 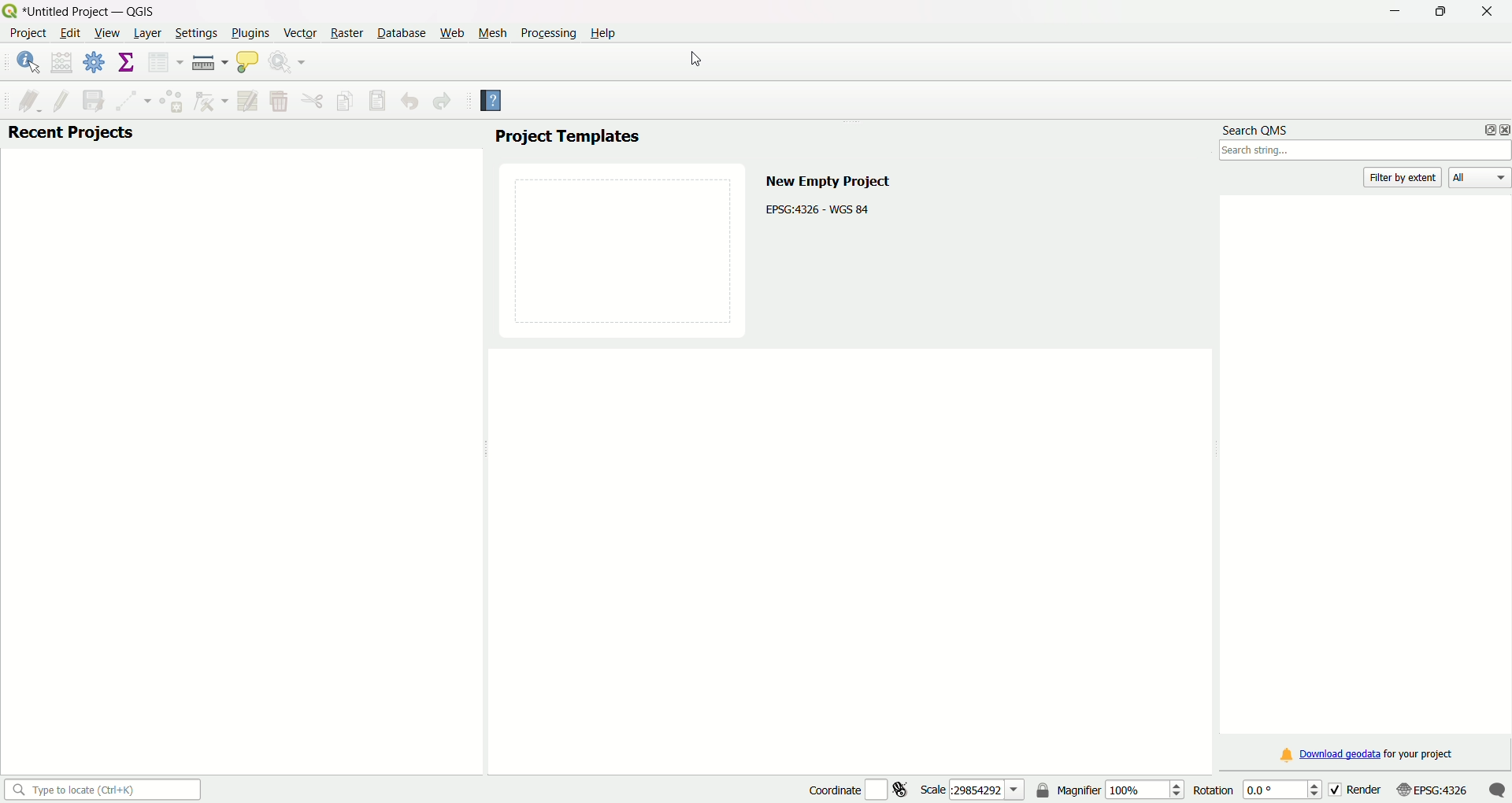 What do you see at coordinates (69, 33) in the screenshot?
I see `Edit` at bounding box center [69, 33].